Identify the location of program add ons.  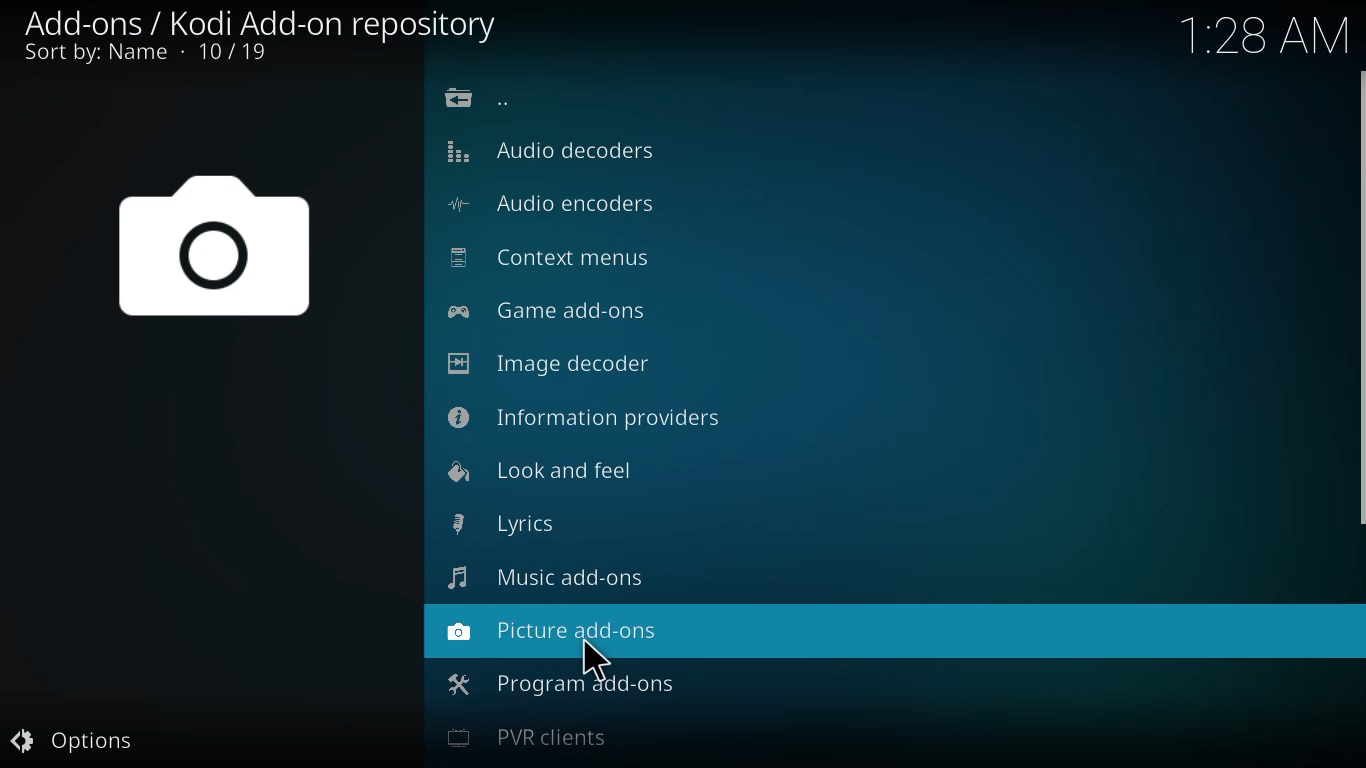
(560, 682).